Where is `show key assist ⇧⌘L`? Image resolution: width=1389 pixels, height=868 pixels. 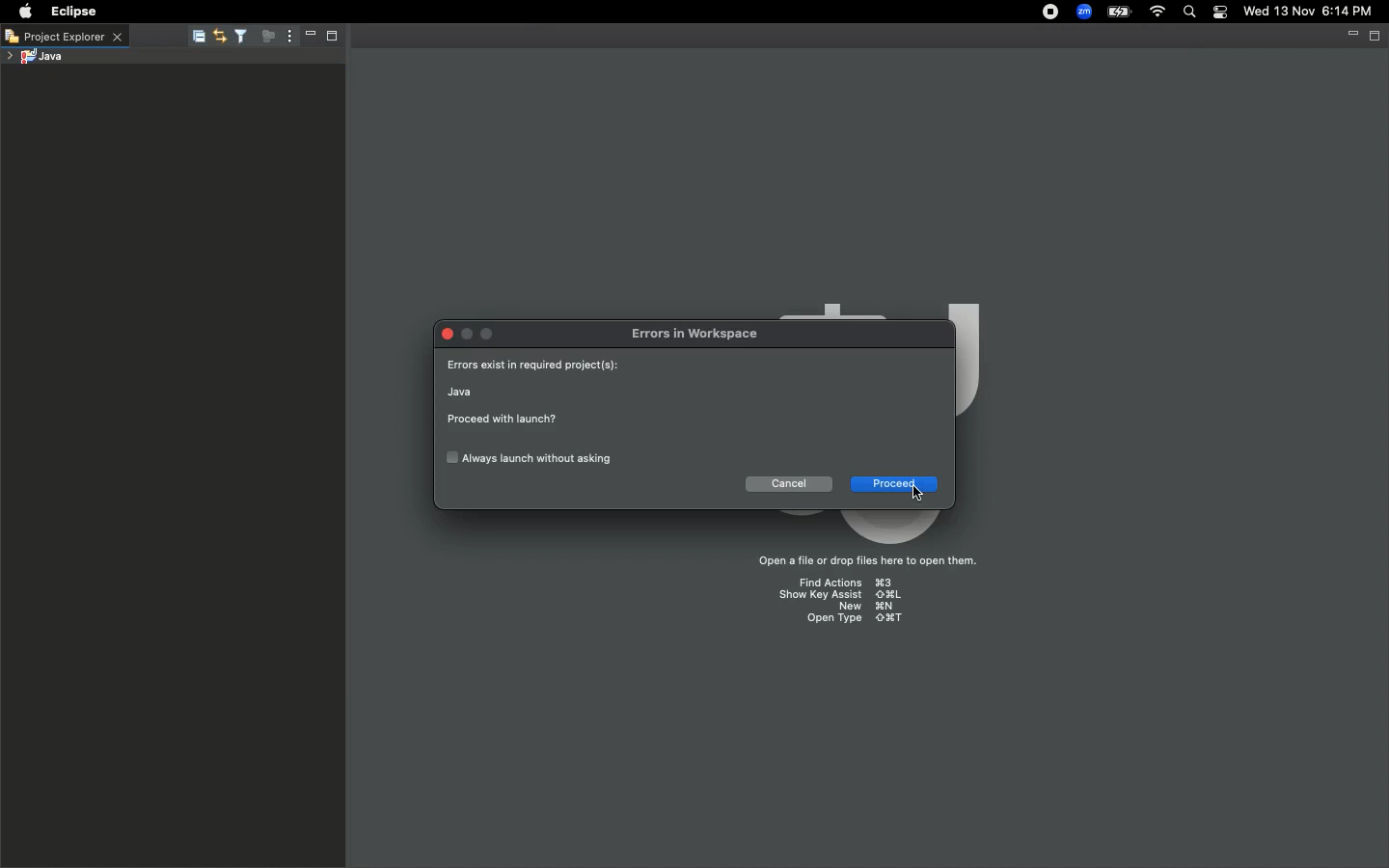
show key assist ⇧⌘L is located at coordinates (840, 595).